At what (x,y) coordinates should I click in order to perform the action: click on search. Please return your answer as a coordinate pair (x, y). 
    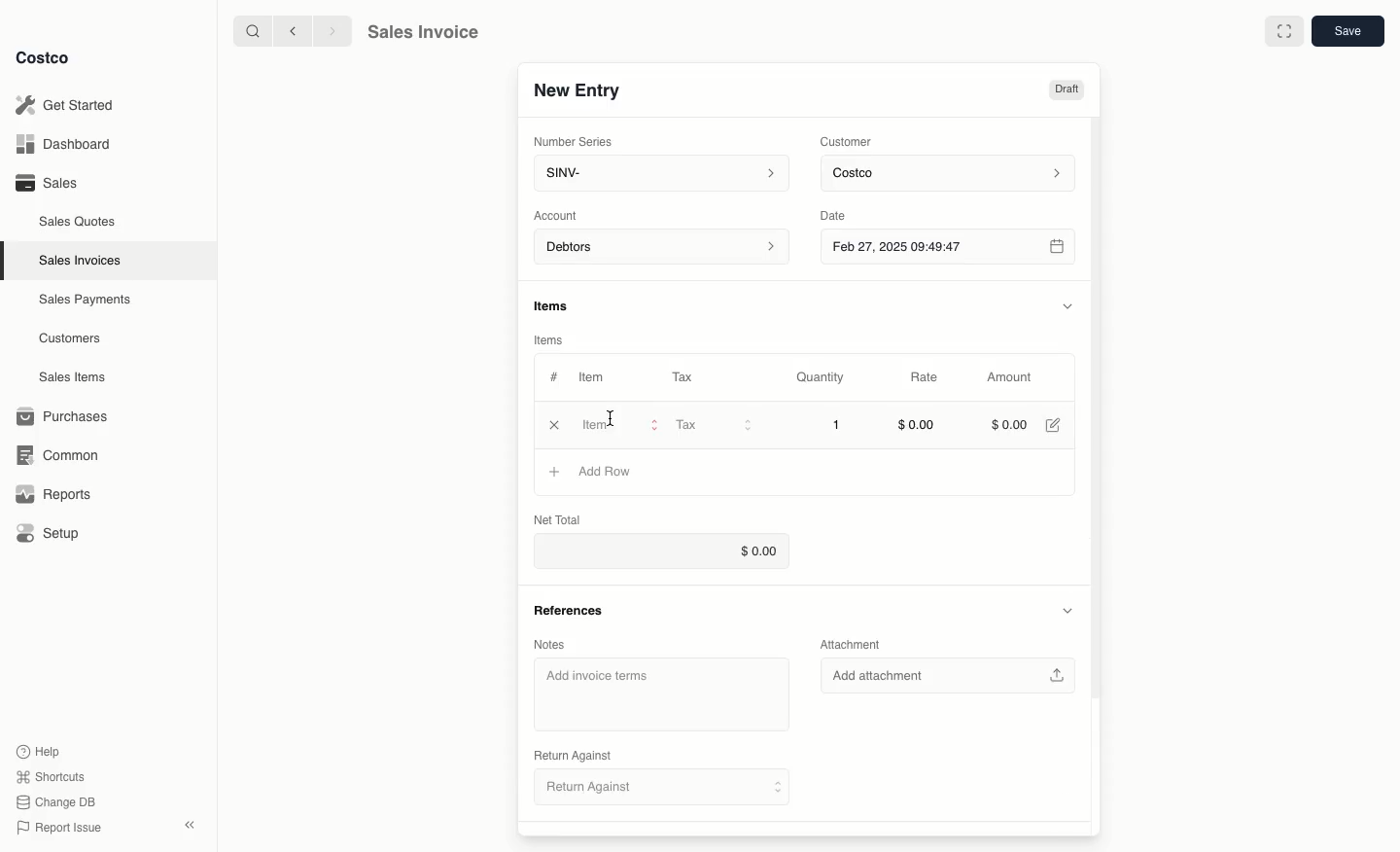
    Looking at the image, I should click on (249, 30).